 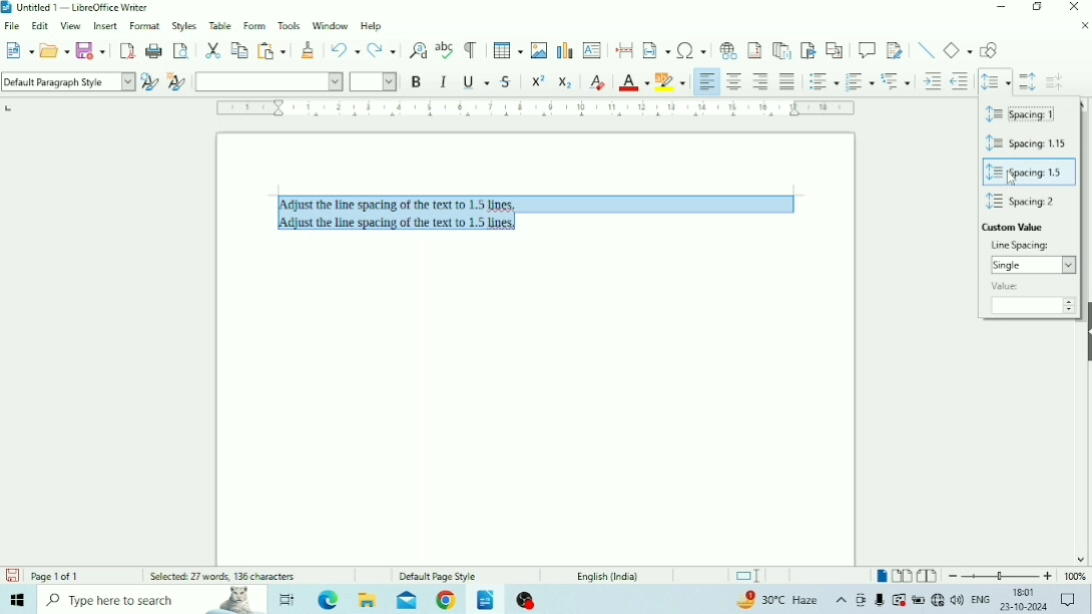 I want to click on Show, so click(x=1085, y=328).